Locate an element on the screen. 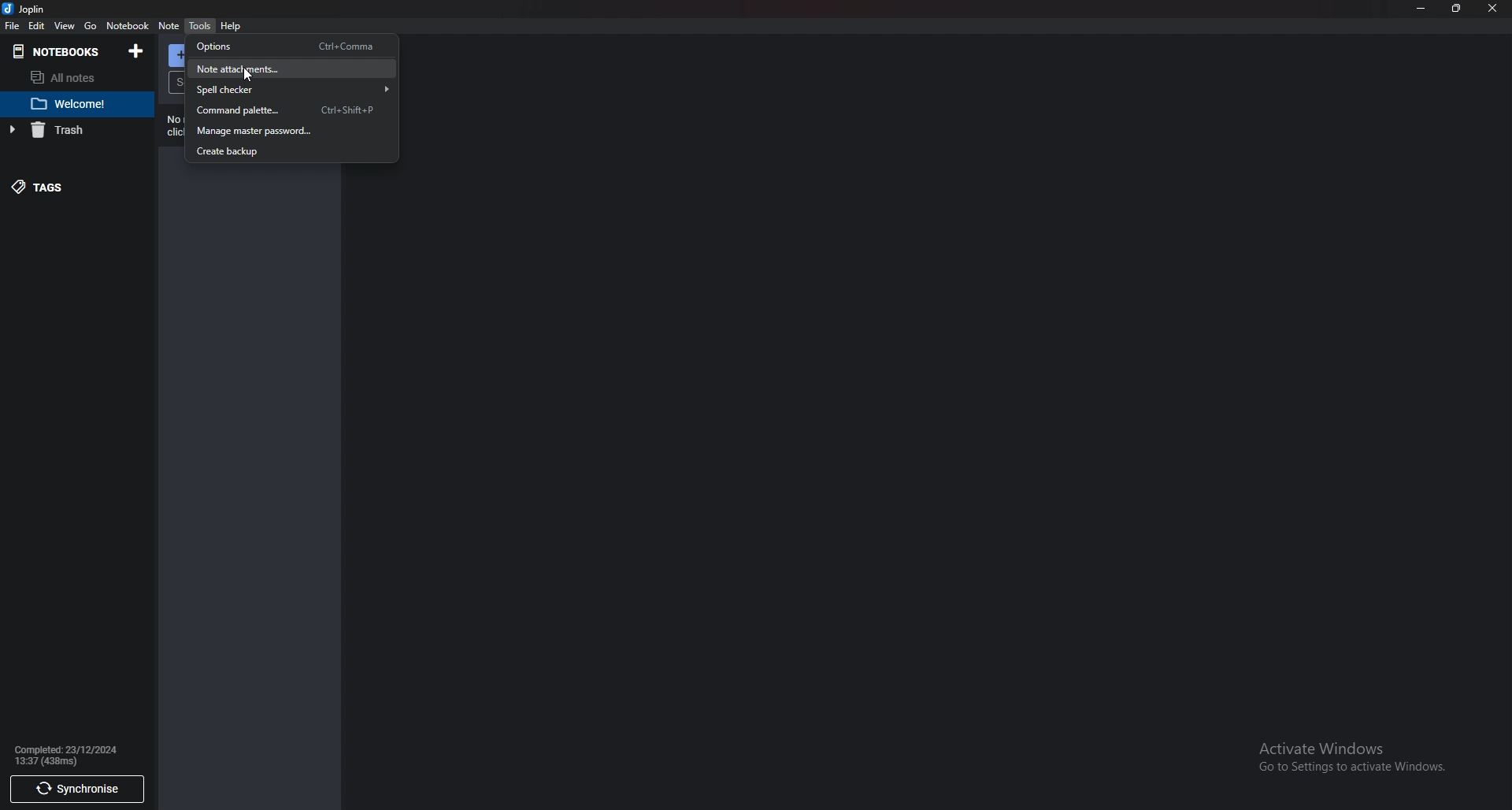  tags is located at coordinates (64, 185).